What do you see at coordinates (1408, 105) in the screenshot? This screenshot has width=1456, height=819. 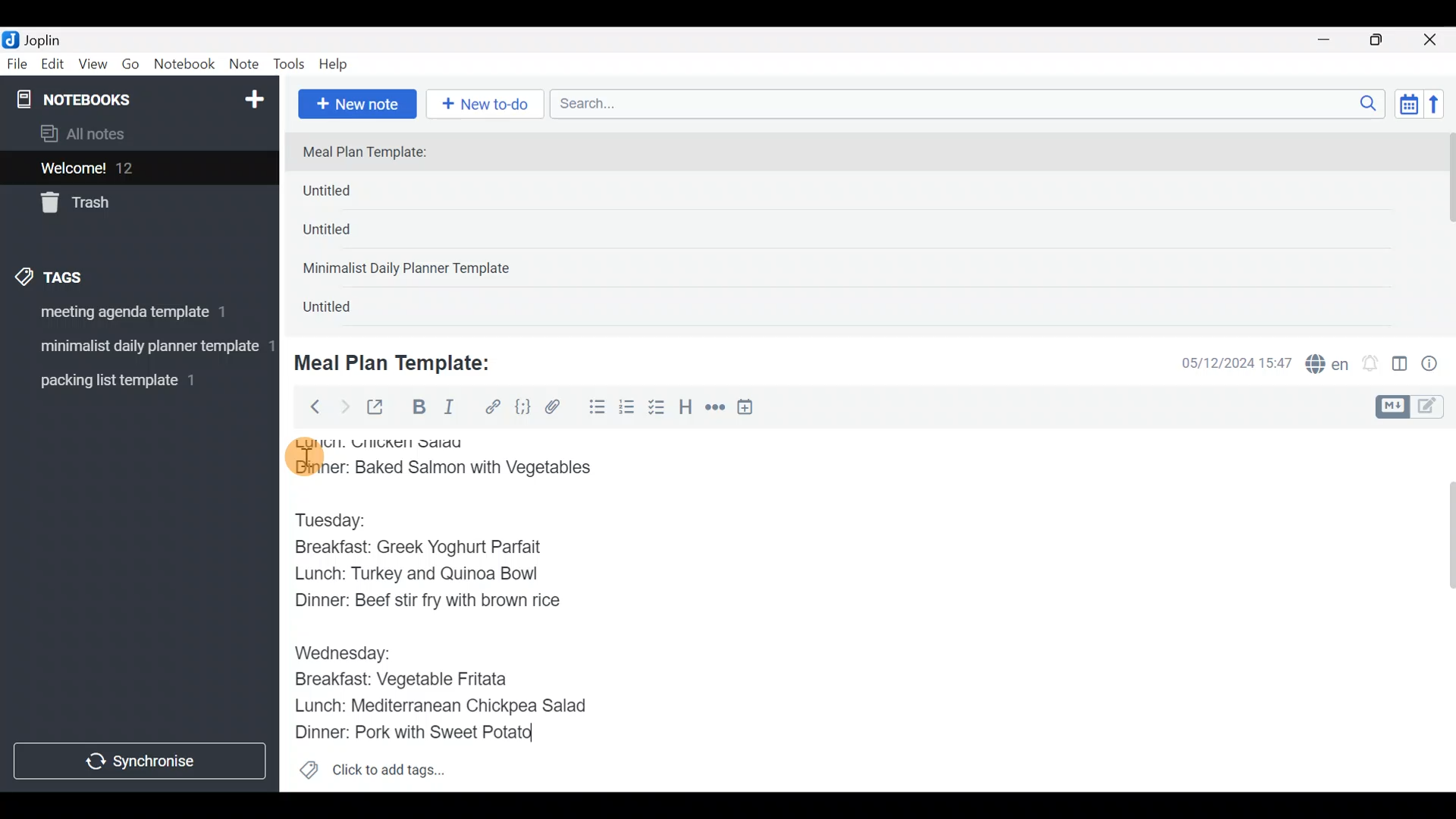 I see `Toggle sort order` at bounding box center [1408, 105].